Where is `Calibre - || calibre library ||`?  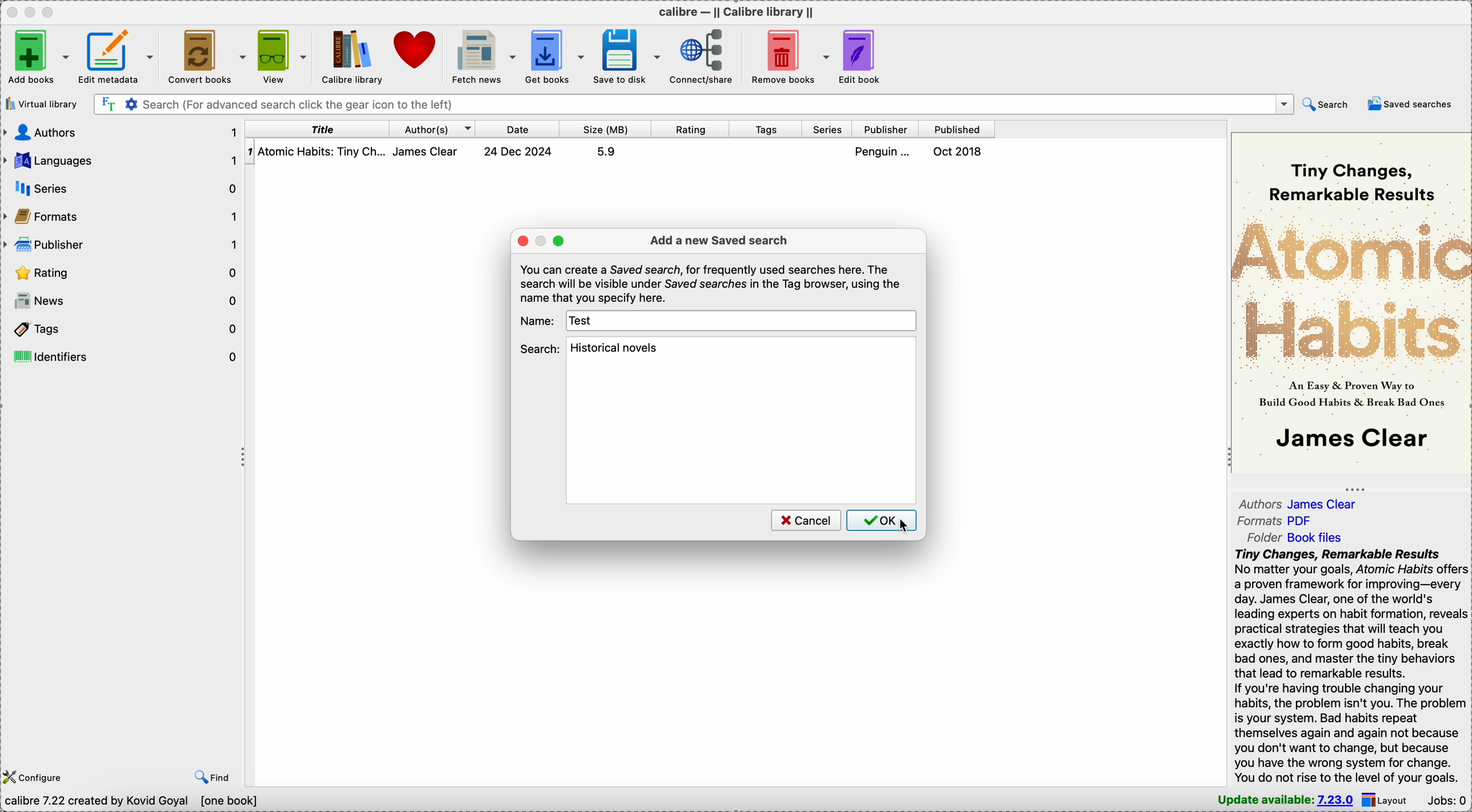 Calibre - || calibre library || is located at coordinates (734, 11).